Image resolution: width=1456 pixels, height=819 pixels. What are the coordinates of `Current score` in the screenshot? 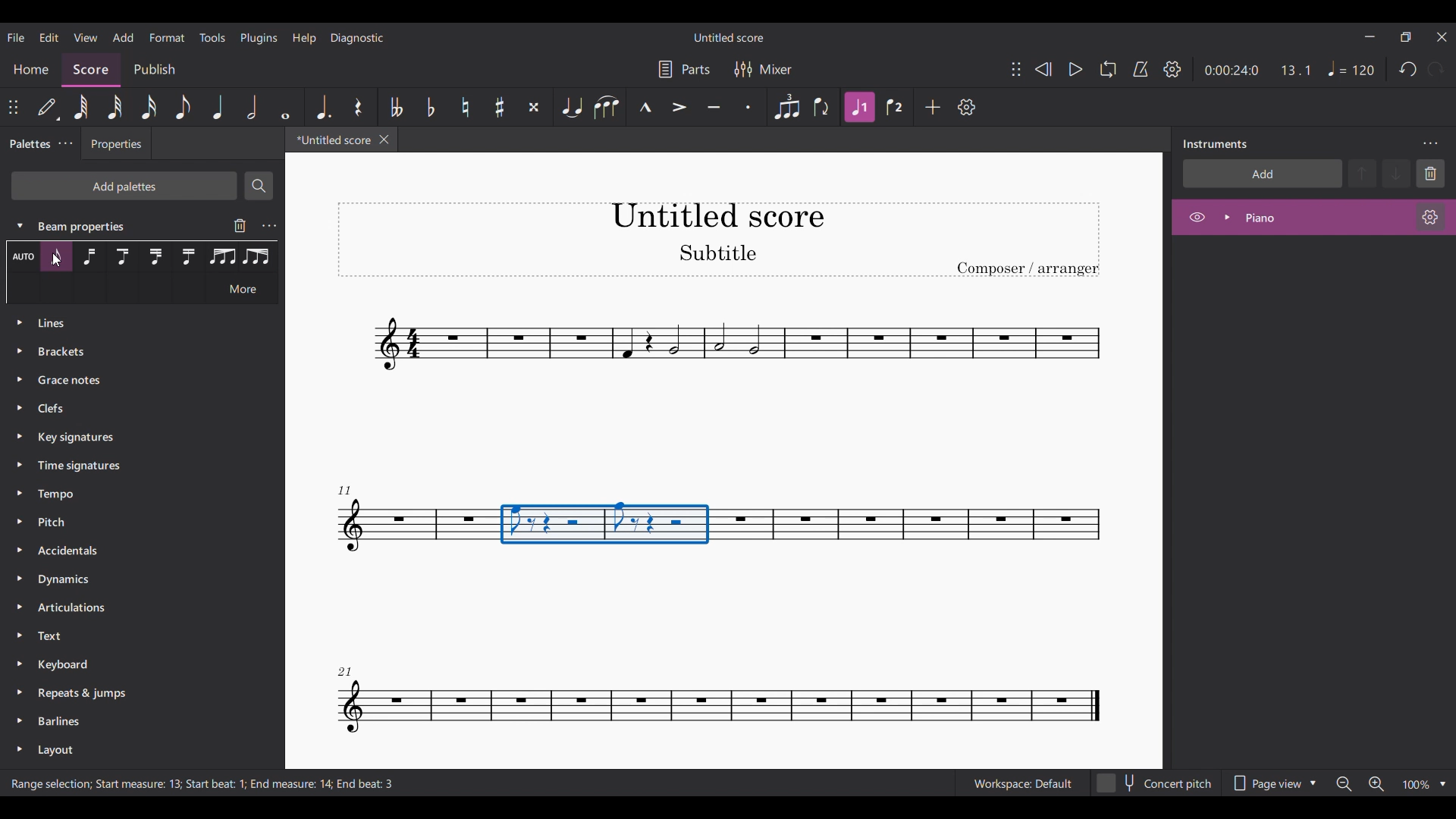 It's located at (329, 143).